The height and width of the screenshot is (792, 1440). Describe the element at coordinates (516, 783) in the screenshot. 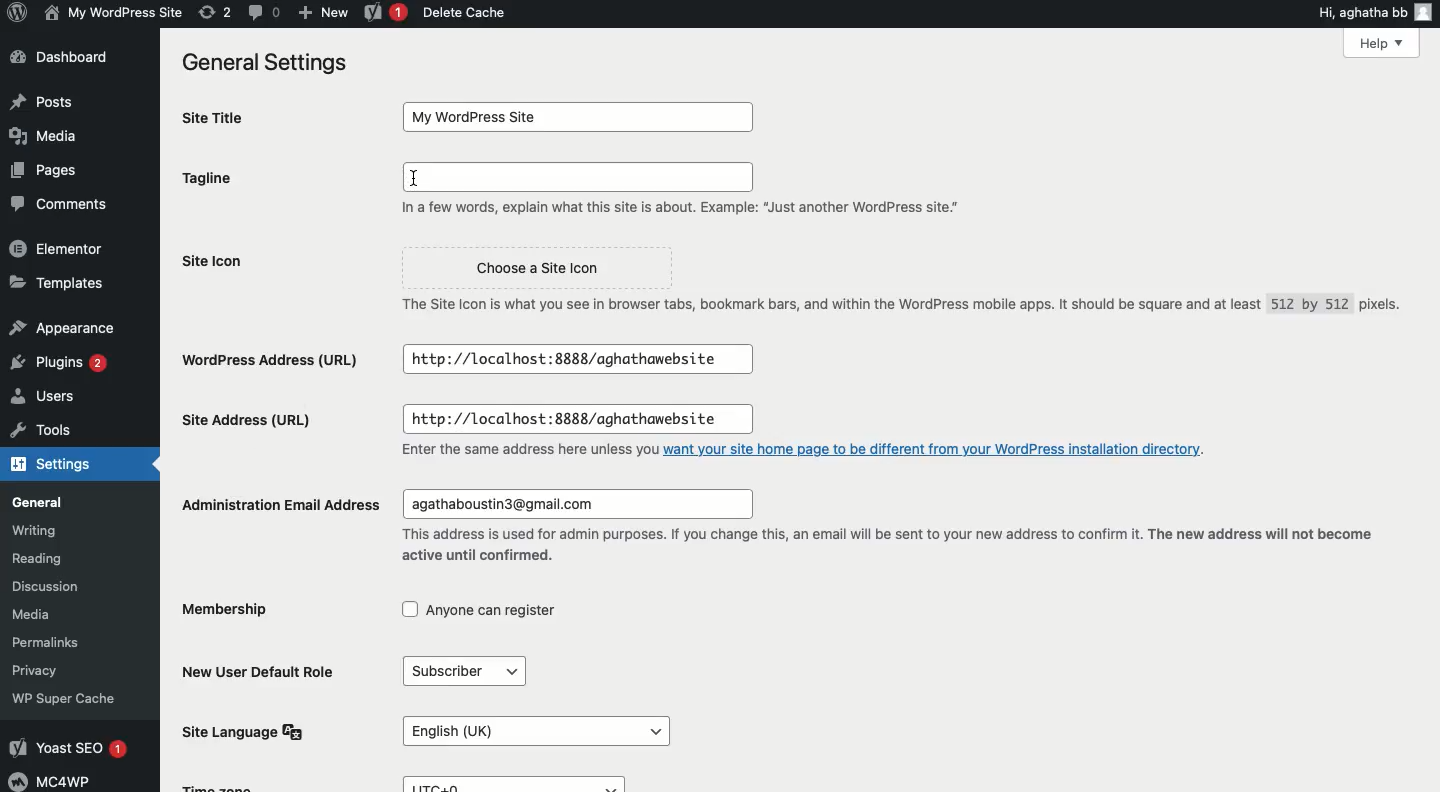

I see `UTC+0` at that location.